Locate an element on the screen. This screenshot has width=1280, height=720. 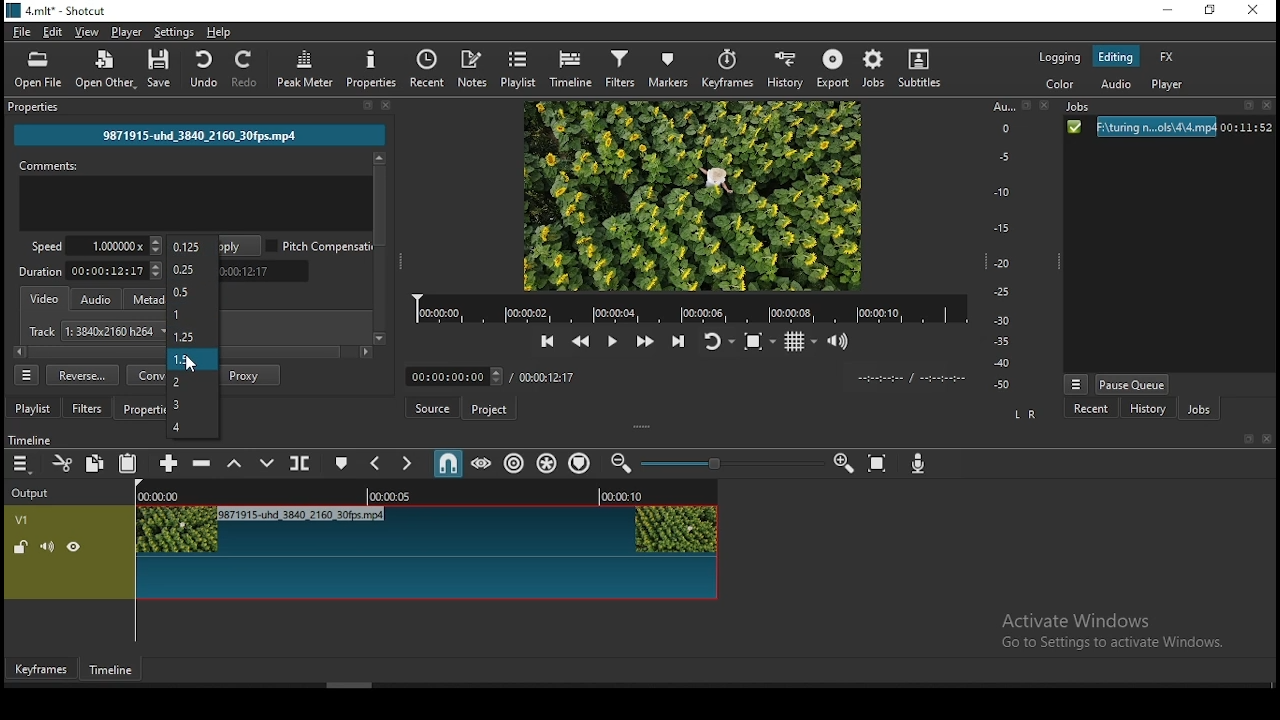
jobs is located at coordinates (872, 68).